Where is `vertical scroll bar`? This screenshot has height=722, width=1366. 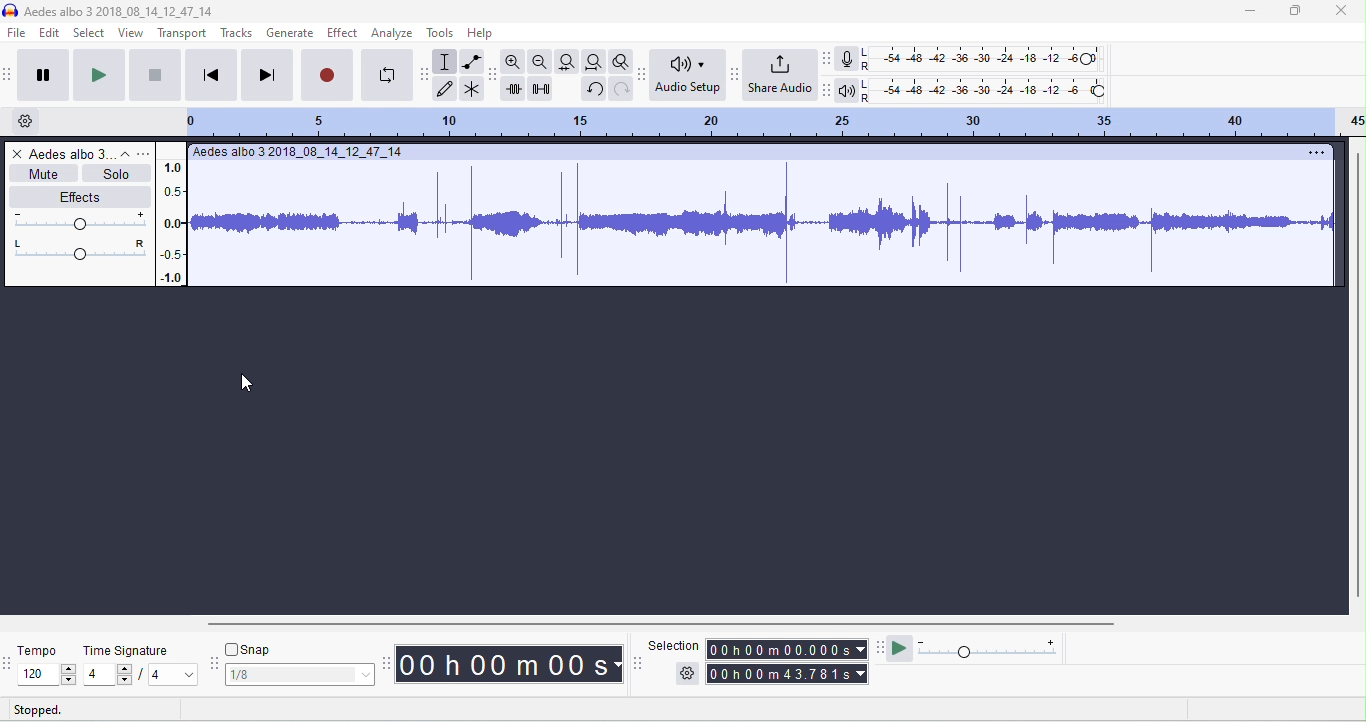 vertical scroll bar is located at coordinates (1355, 372).